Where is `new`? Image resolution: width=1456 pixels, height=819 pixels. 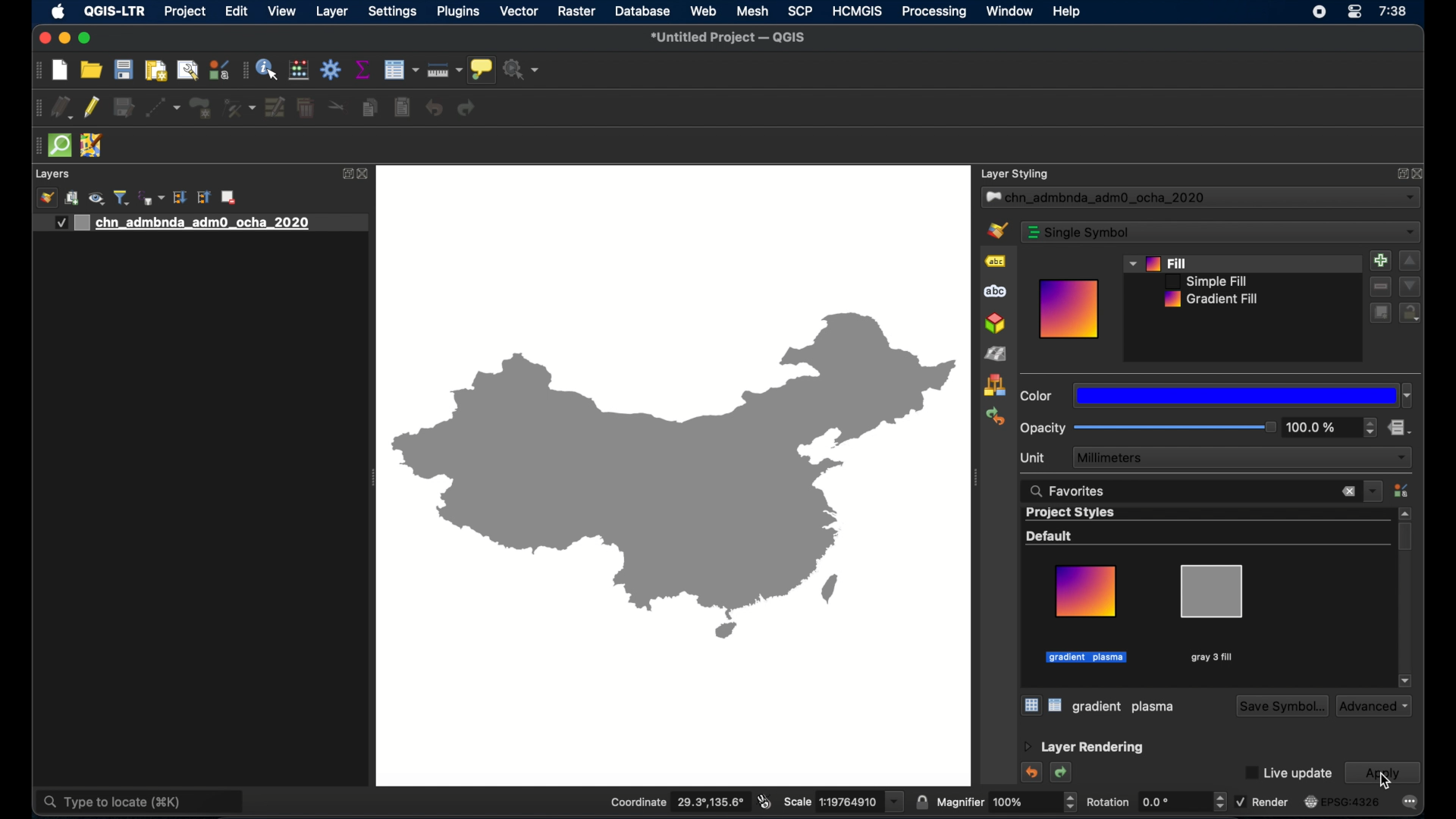 new is located at coordinates (61, 71).